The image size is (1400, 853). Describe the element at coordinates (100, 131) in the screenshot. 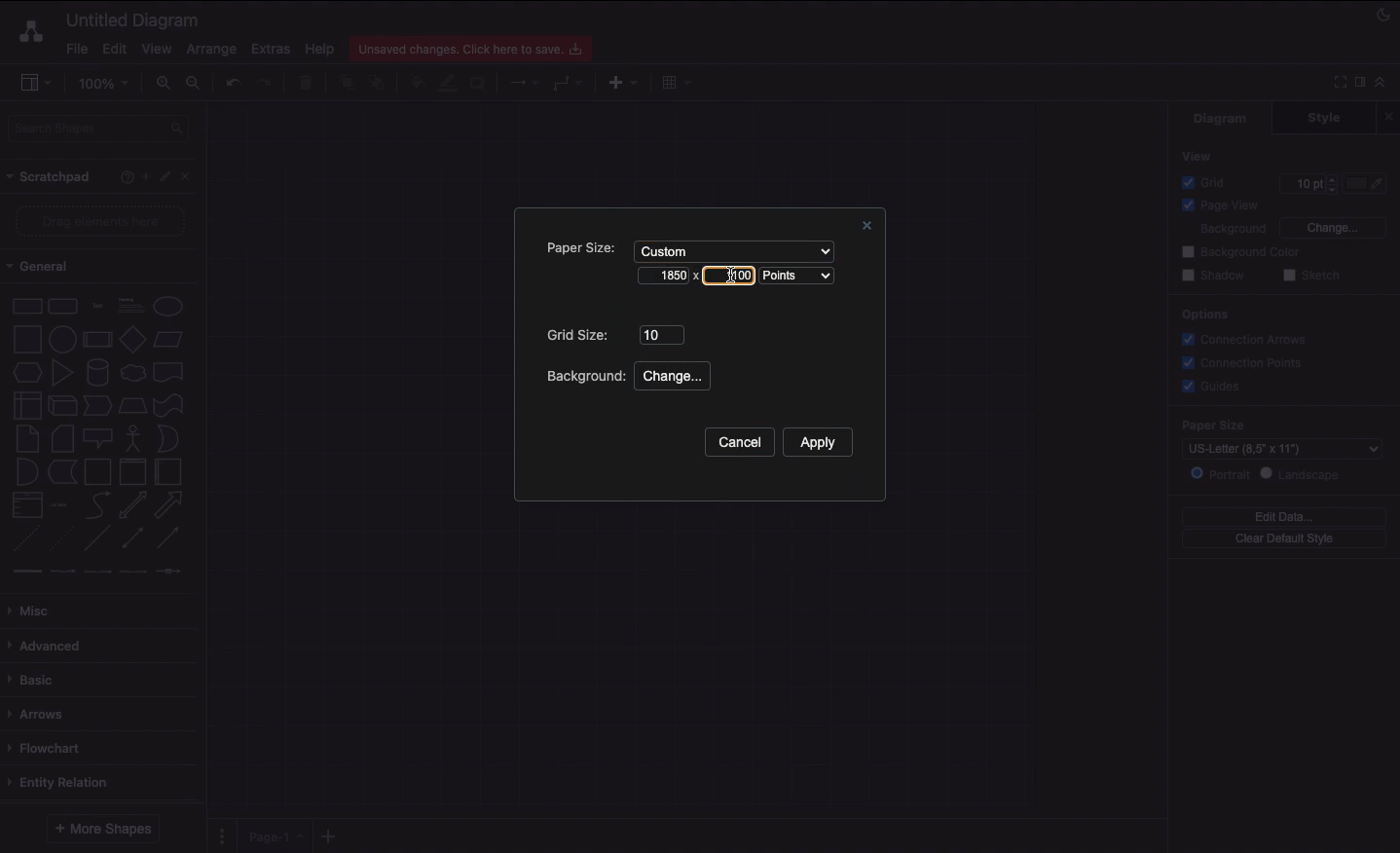

I see `Search shapes` at that location.